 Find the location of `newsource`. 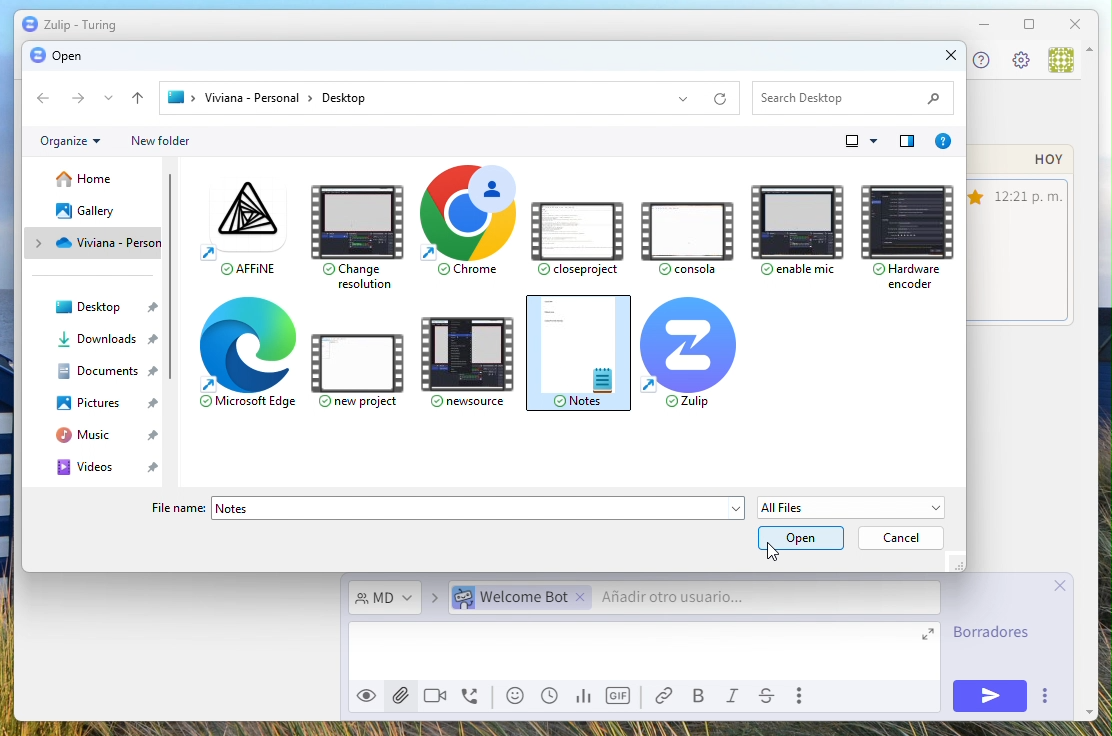

newsource is located at coordinates (472, 359).